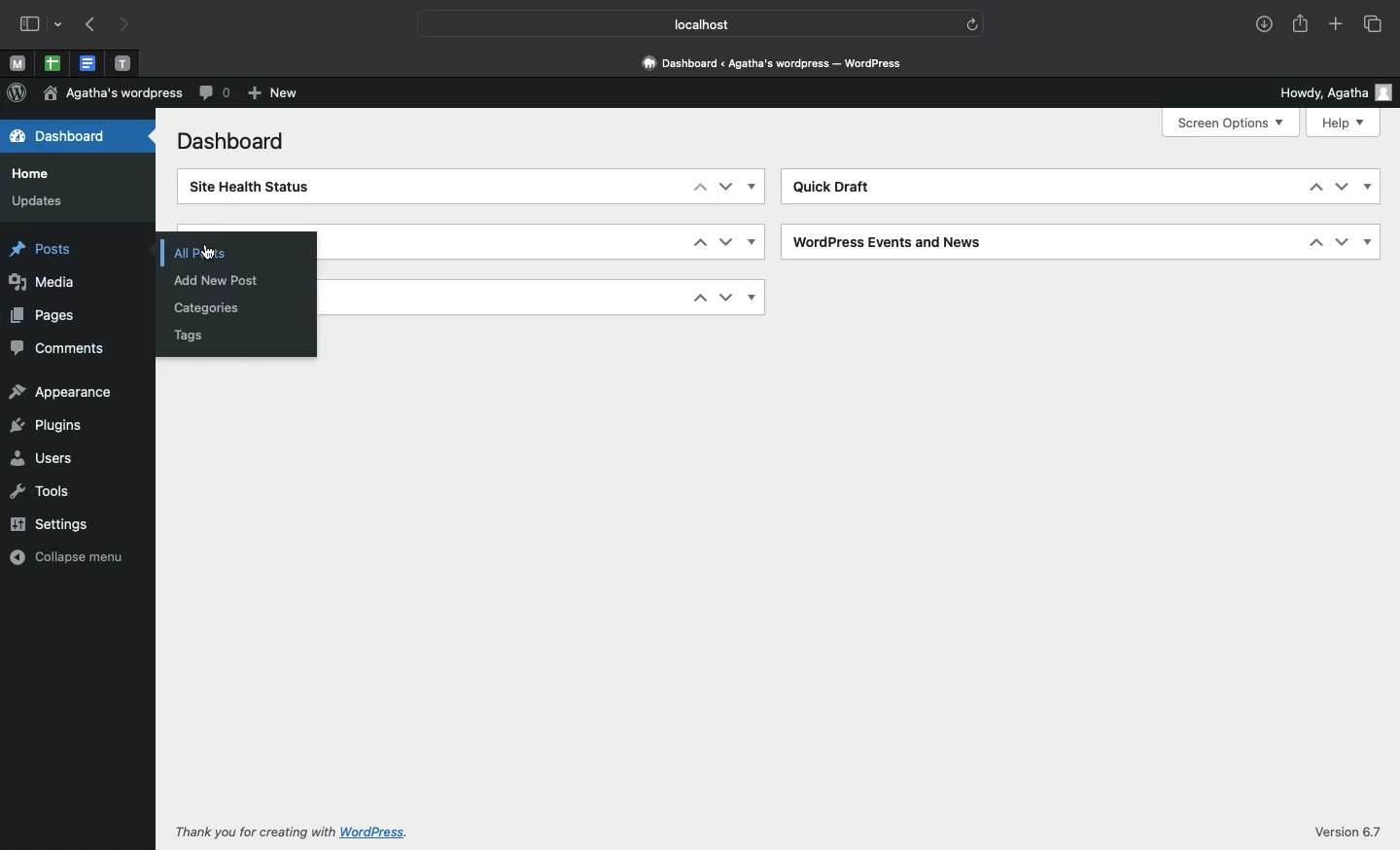 The height and width of the screenshot is (850, 1400). Describe the element at coordinates (122, 59) in the screenshot. I see `text tab` at that location.